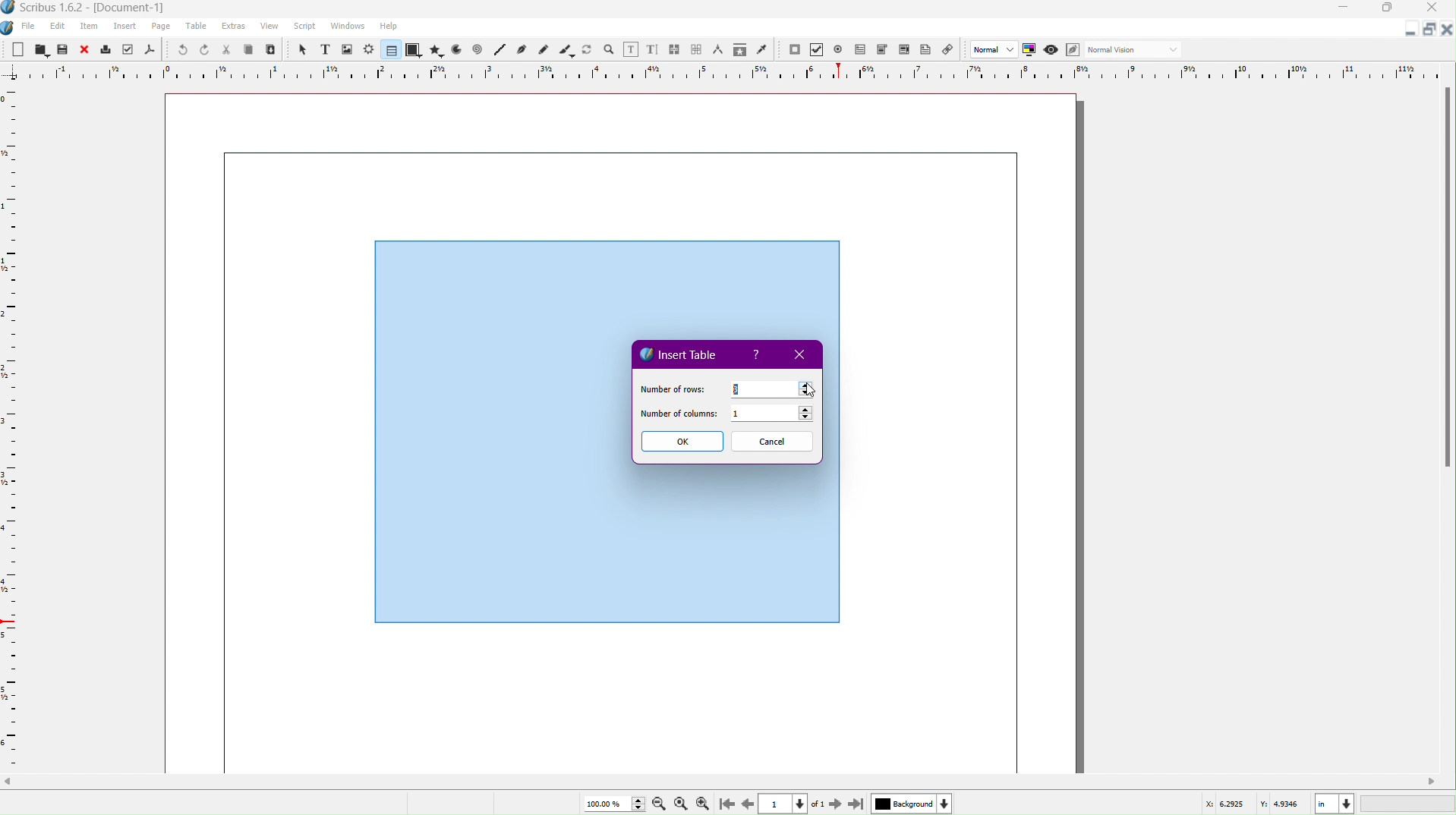 Image resolution: width=1456 pixels, height=815 pixels. What do you see at coordinates (269, 29) in the screenshot?
I see `View` at bounding box center [269, 29].